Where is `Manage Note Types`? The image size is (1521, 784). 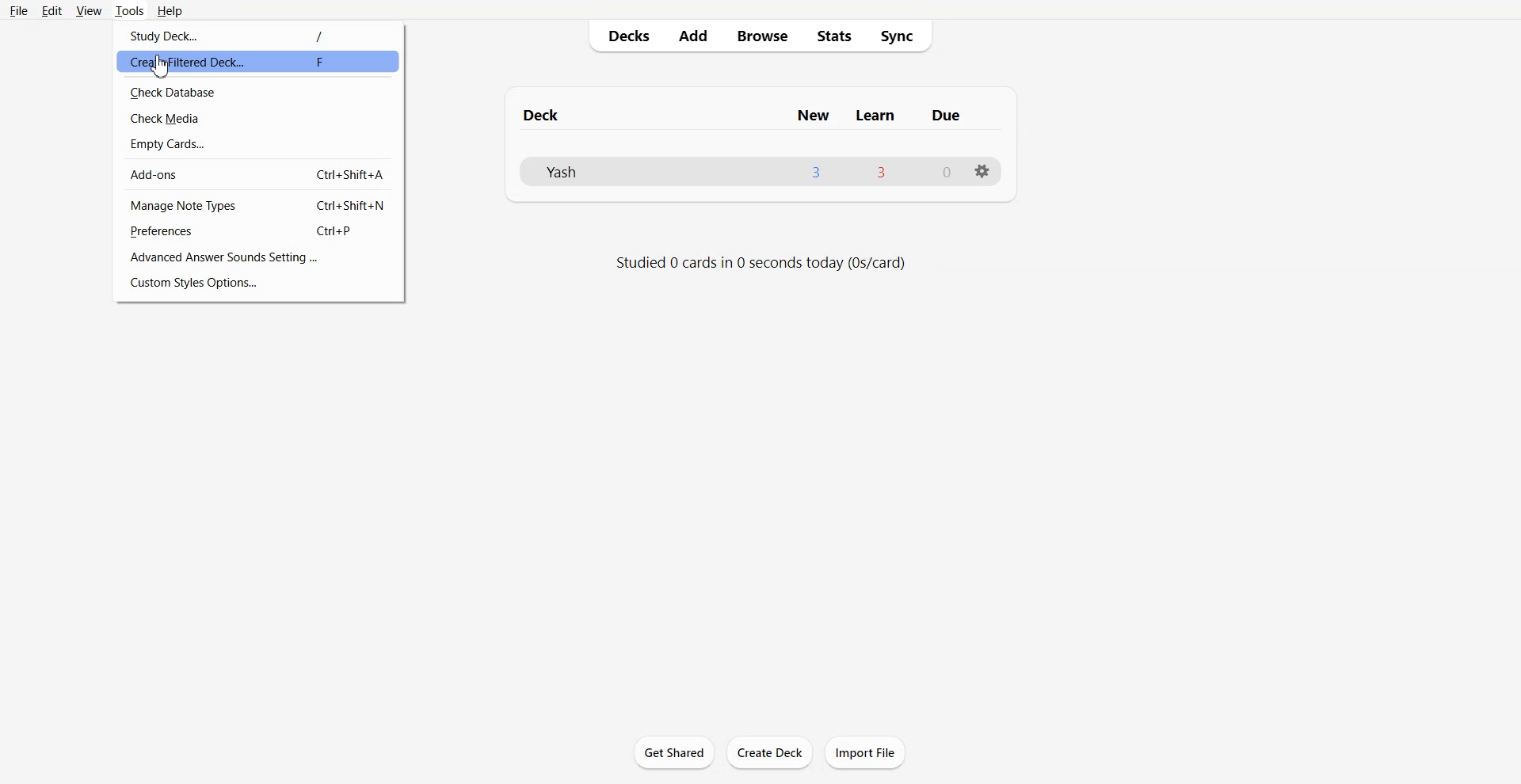 Manage Note Types is located at coordinates (258, 205).